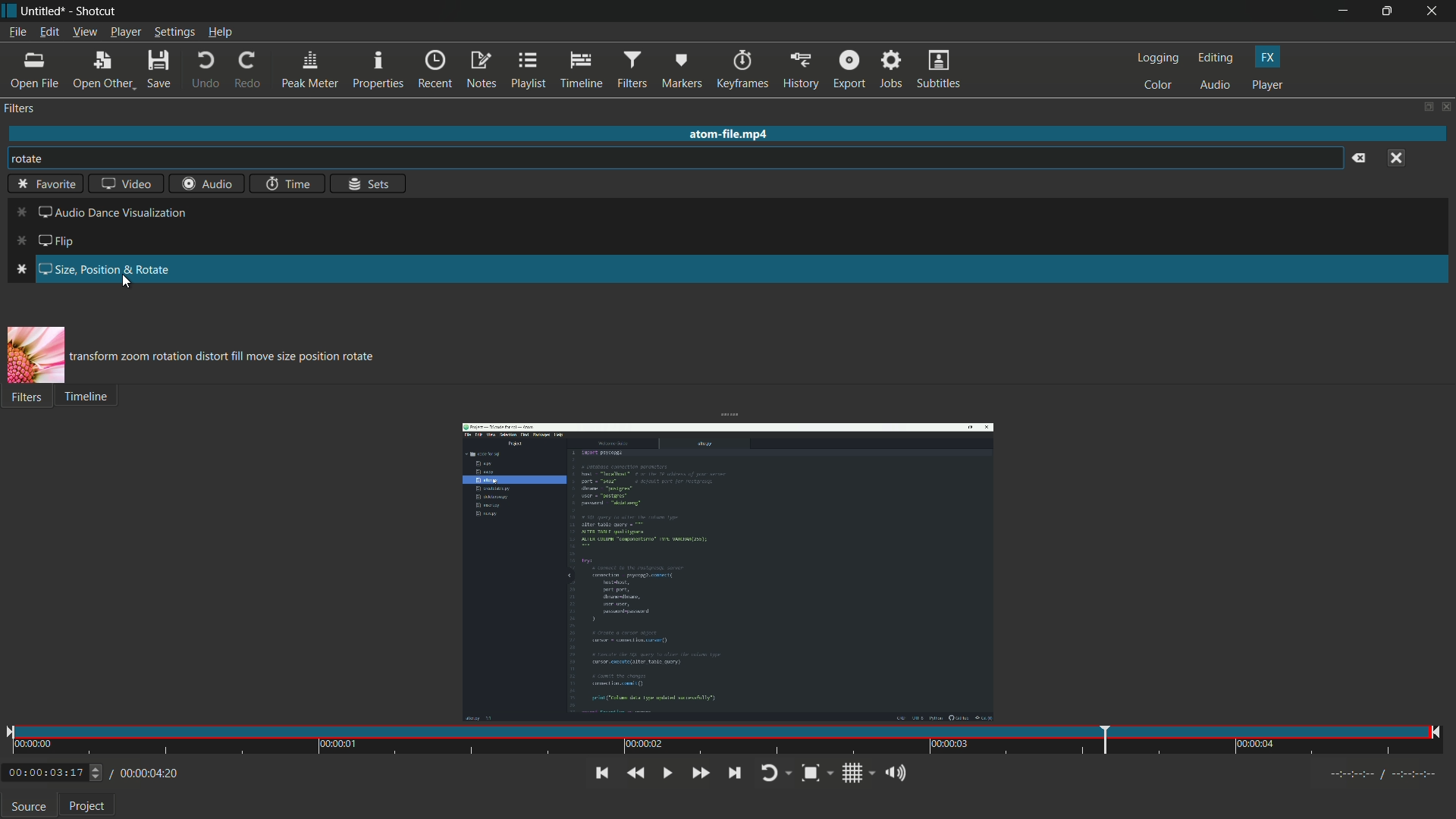  I want to click on help menu, so click(221, 33).